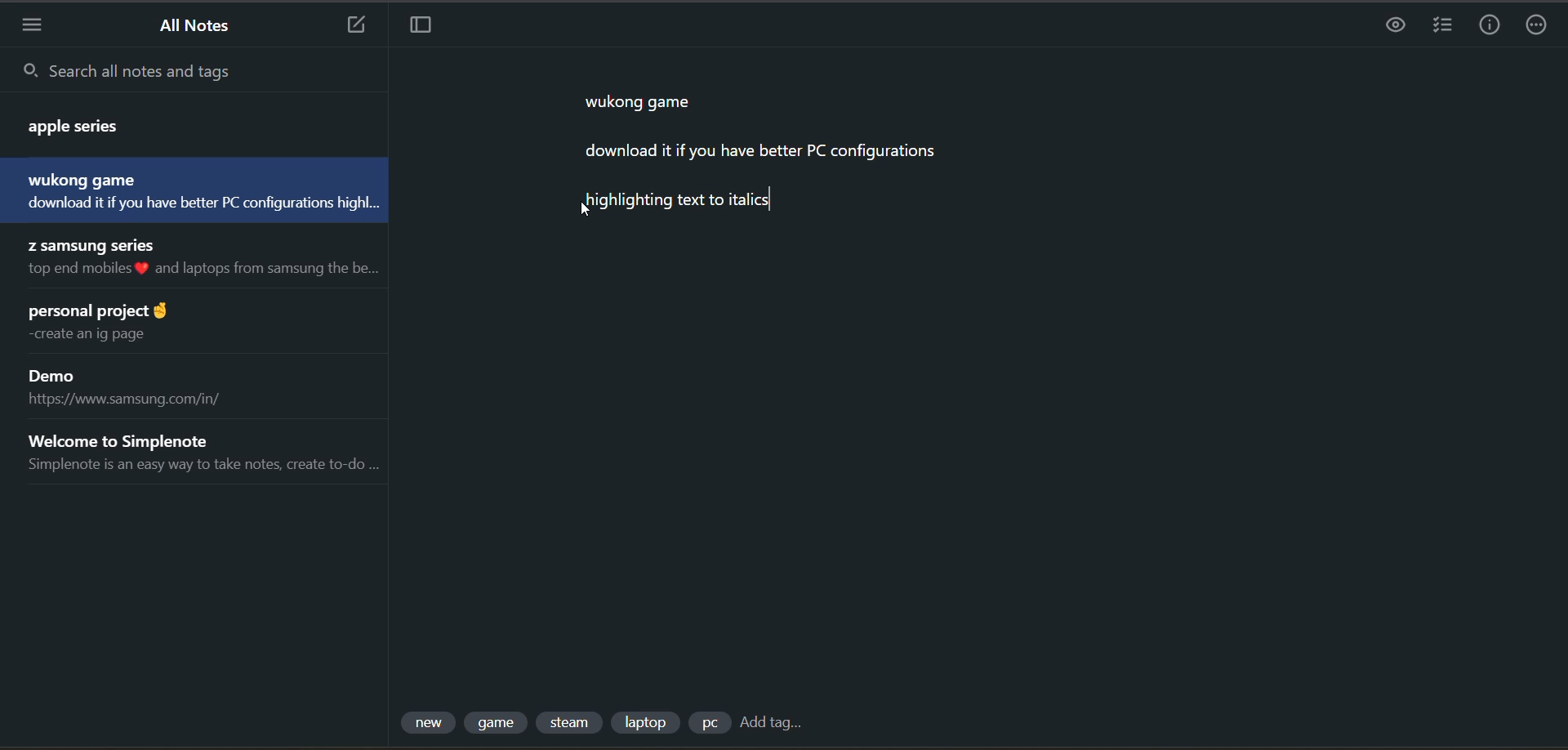  I want to click on actions, so click(1541, 27).